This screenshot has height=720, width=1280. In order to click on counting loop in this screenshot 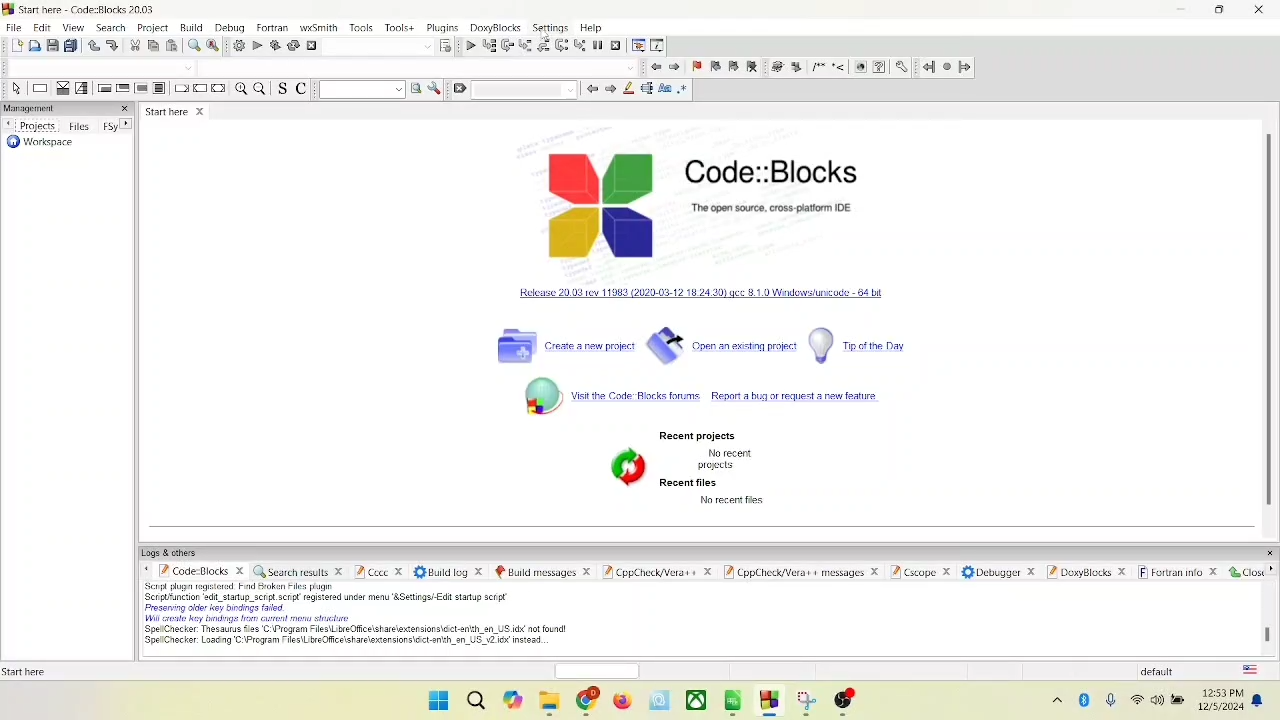, I will do `click(142, 88)`.